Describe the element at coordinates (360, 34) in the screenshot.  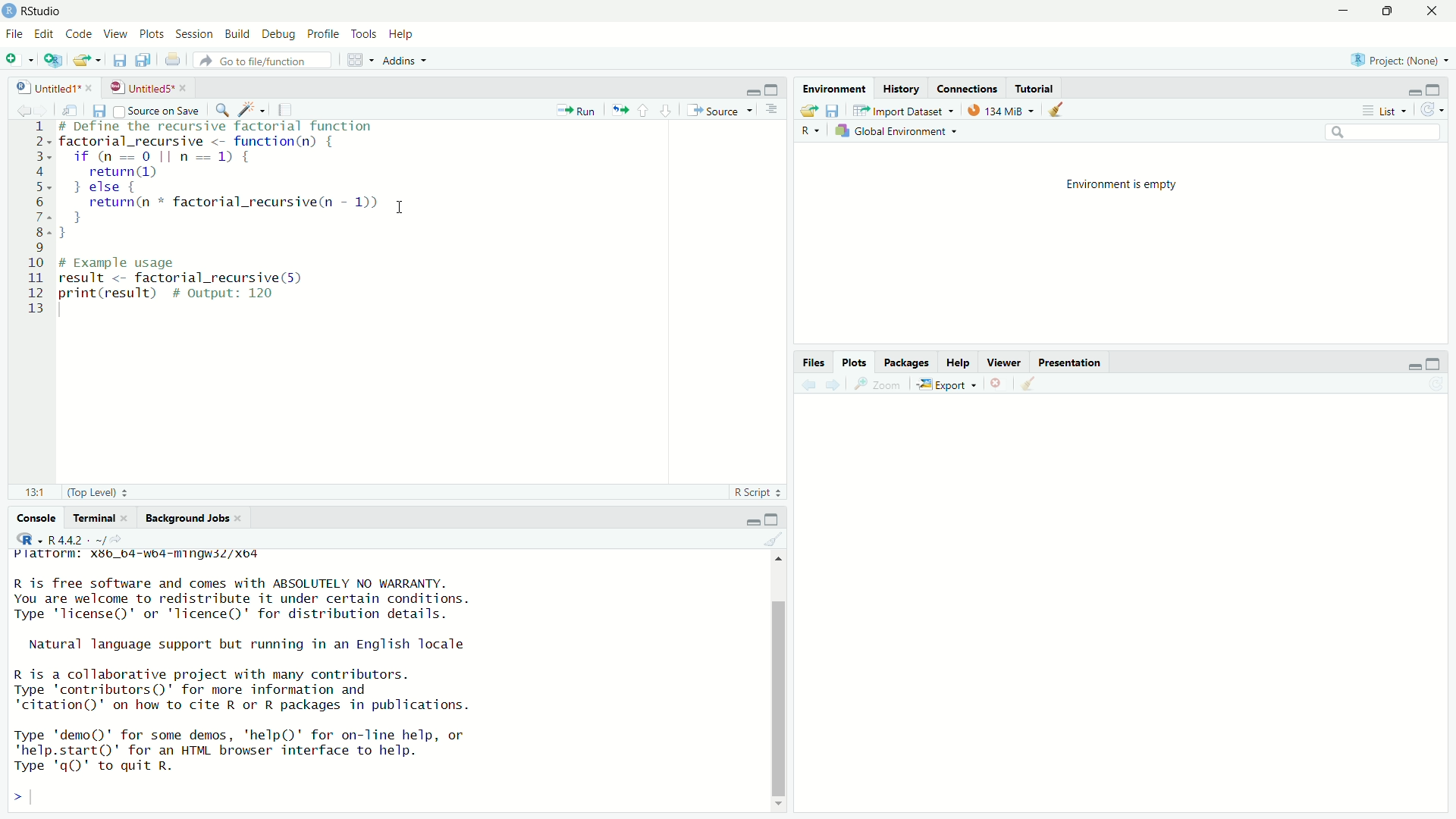
I see `Tools` at that location.